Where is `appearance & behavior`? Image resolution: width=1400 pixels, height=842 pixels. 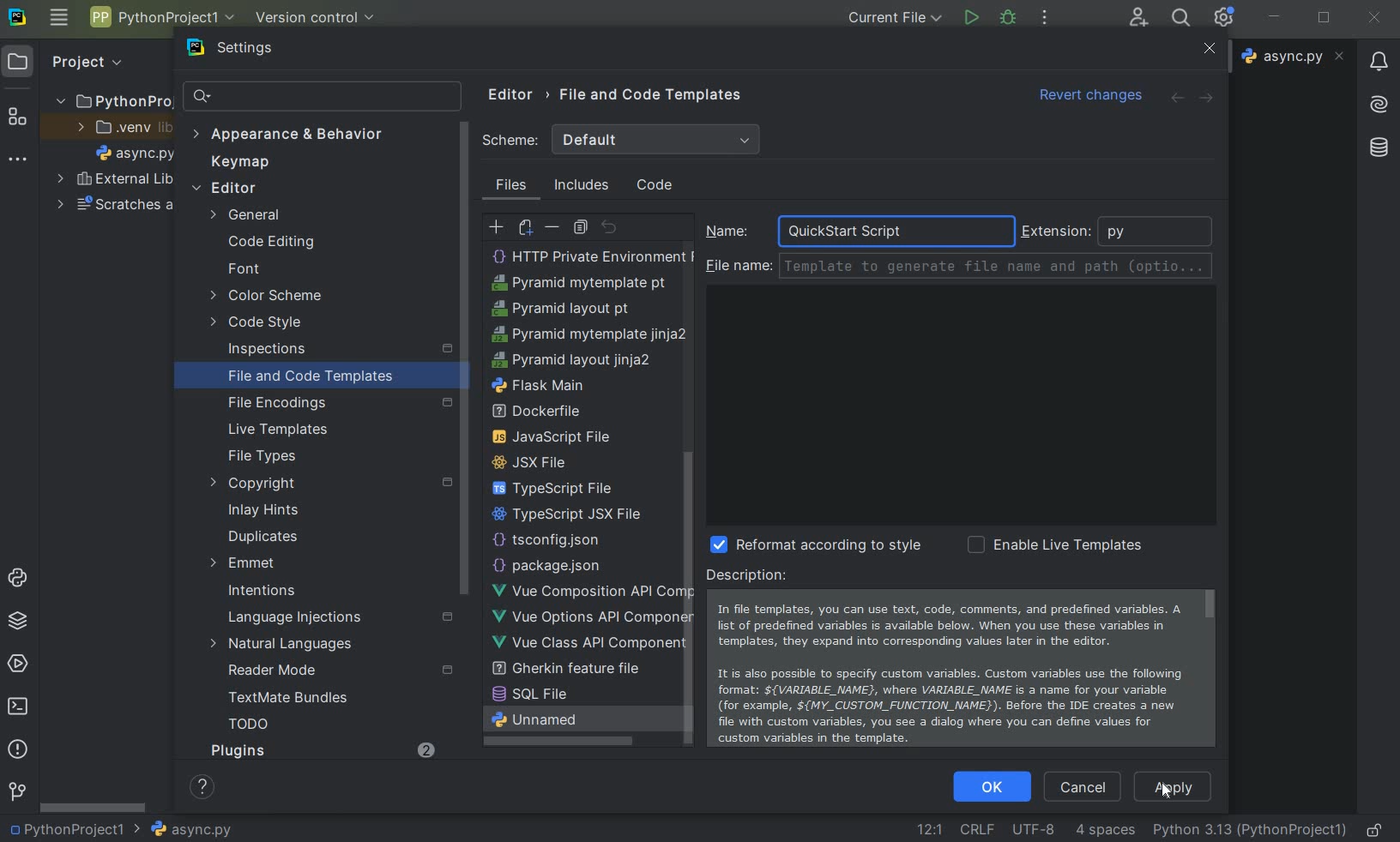
appearance & behavior is located at coordinates (287, 135).